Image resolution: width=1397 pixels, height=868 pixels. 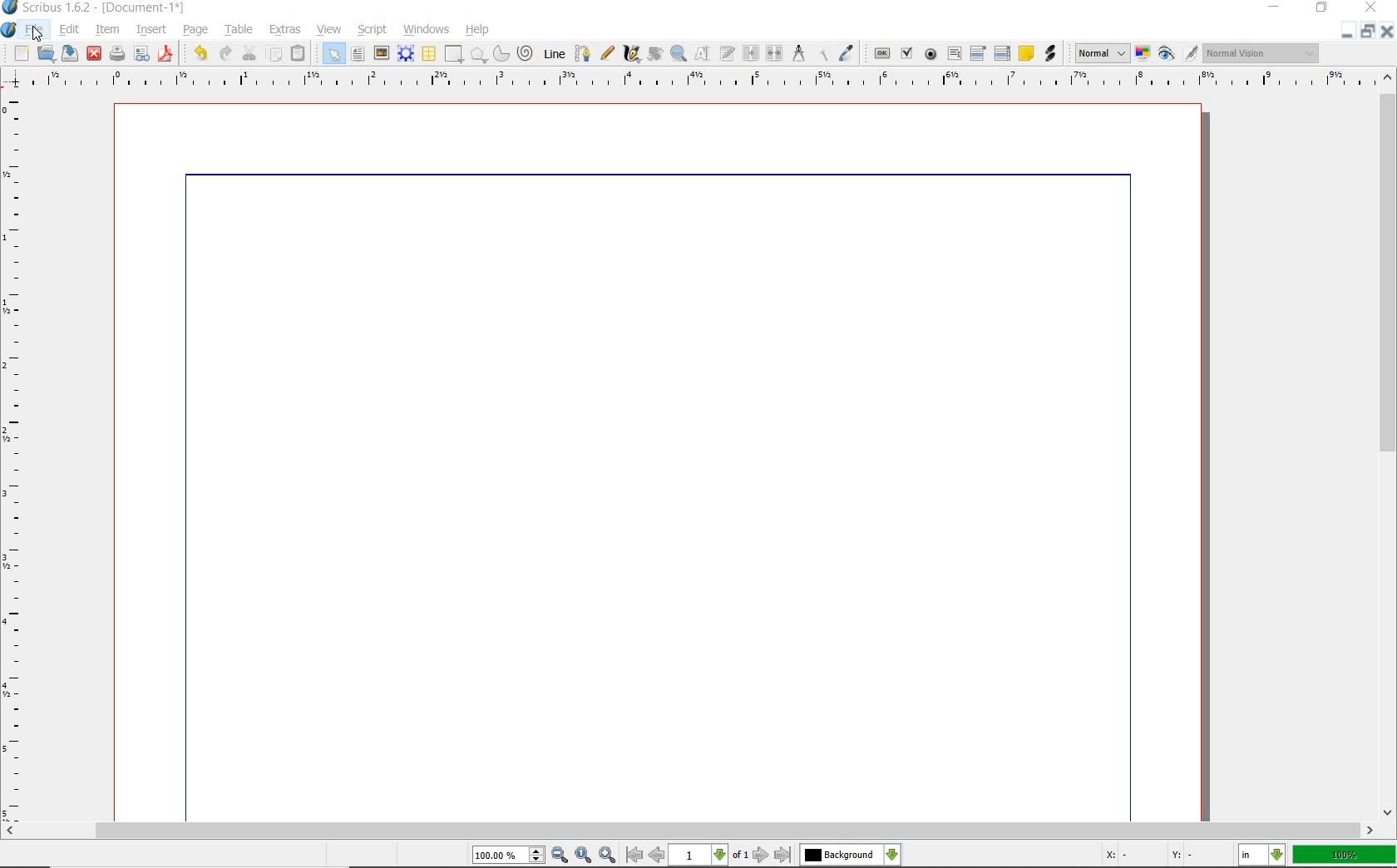 I want to click on Bezier curve, so click(x=582, y=53).